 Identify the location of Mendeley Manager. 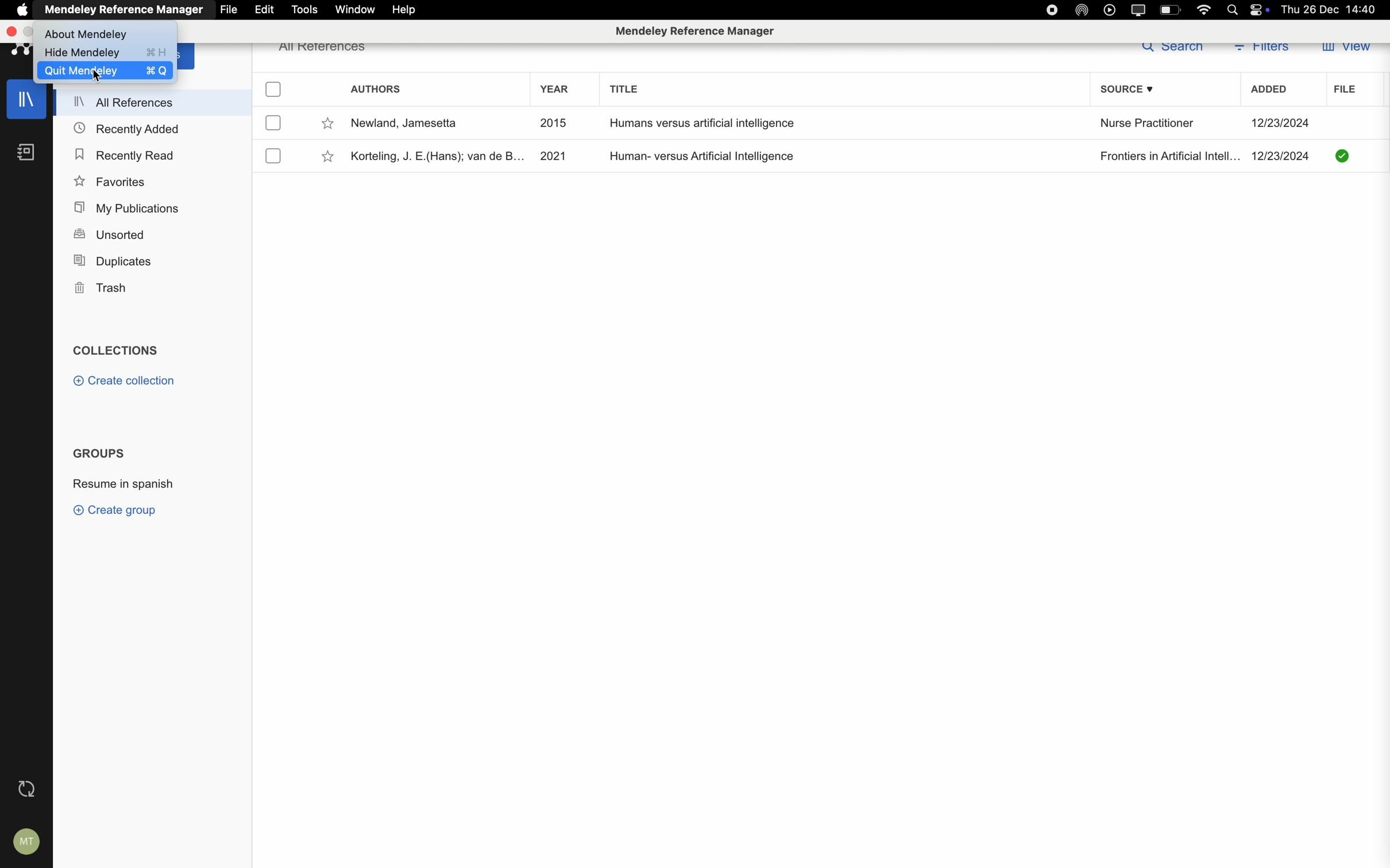
(697, 30).